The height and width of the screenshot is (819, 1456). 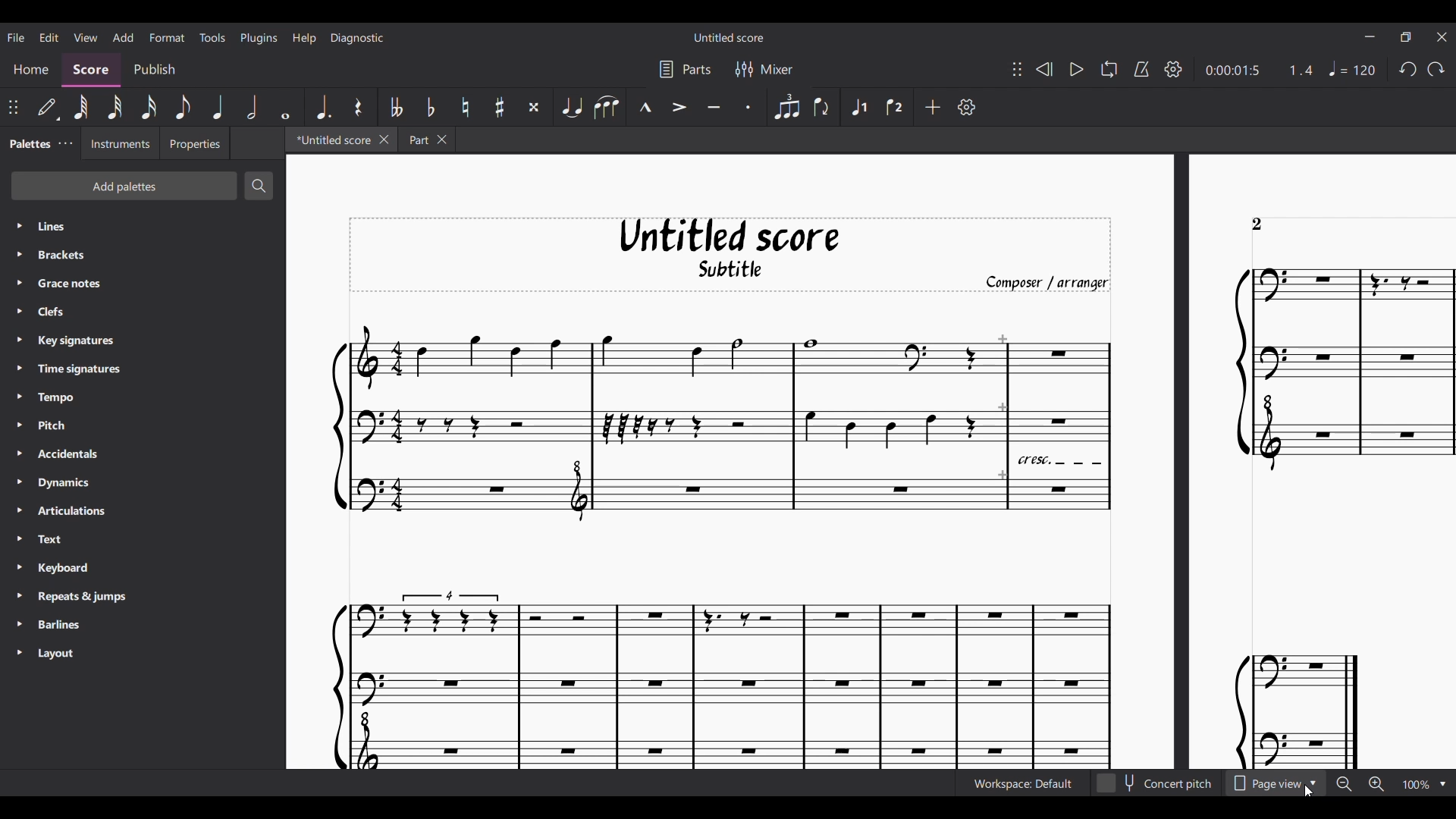 I want to click on Current ratio and duration, so click(x=1260, y=70).